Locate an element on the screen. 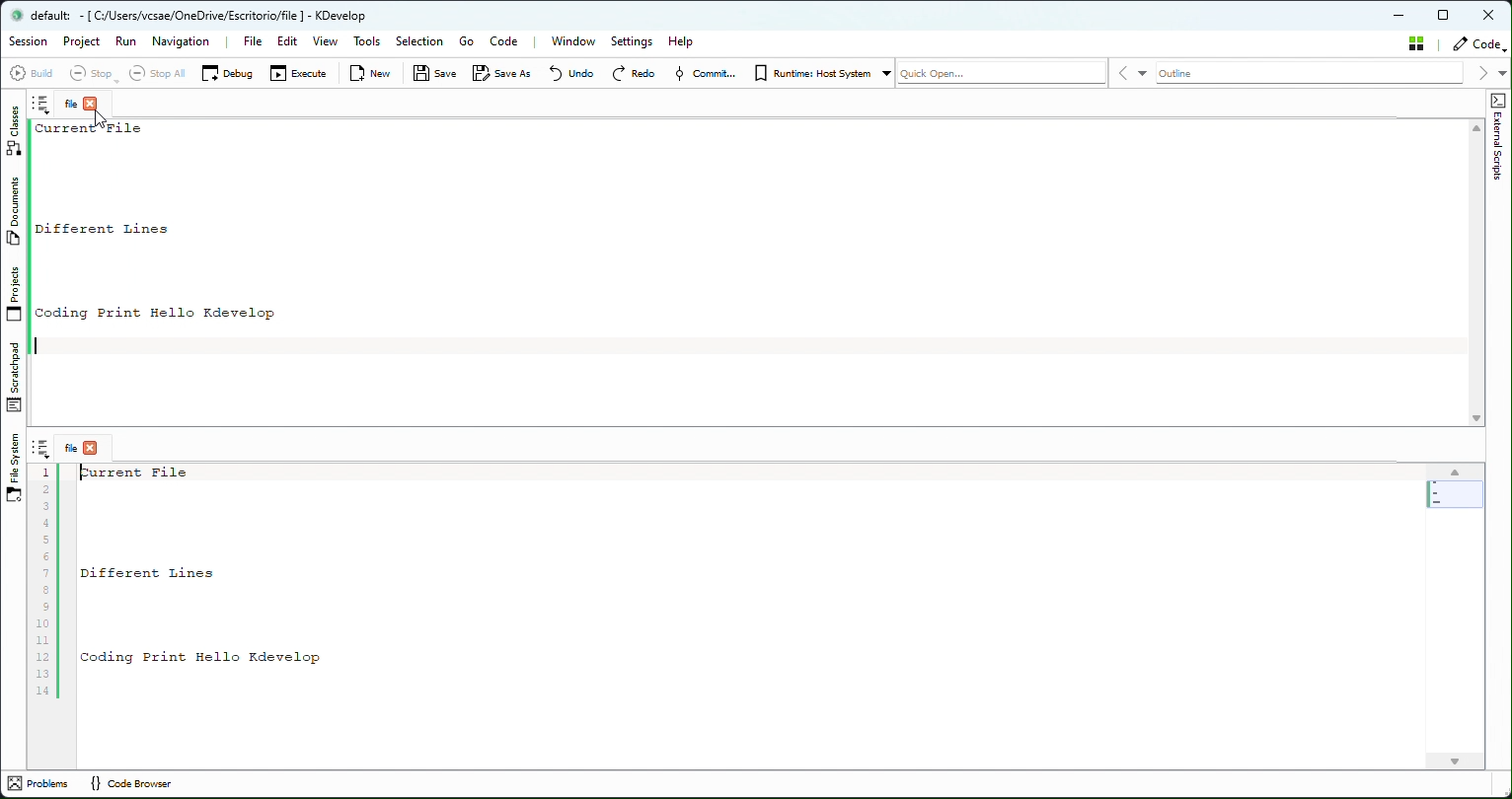 The image size is (1512, 799). line column is located at coordinates (48, 582).